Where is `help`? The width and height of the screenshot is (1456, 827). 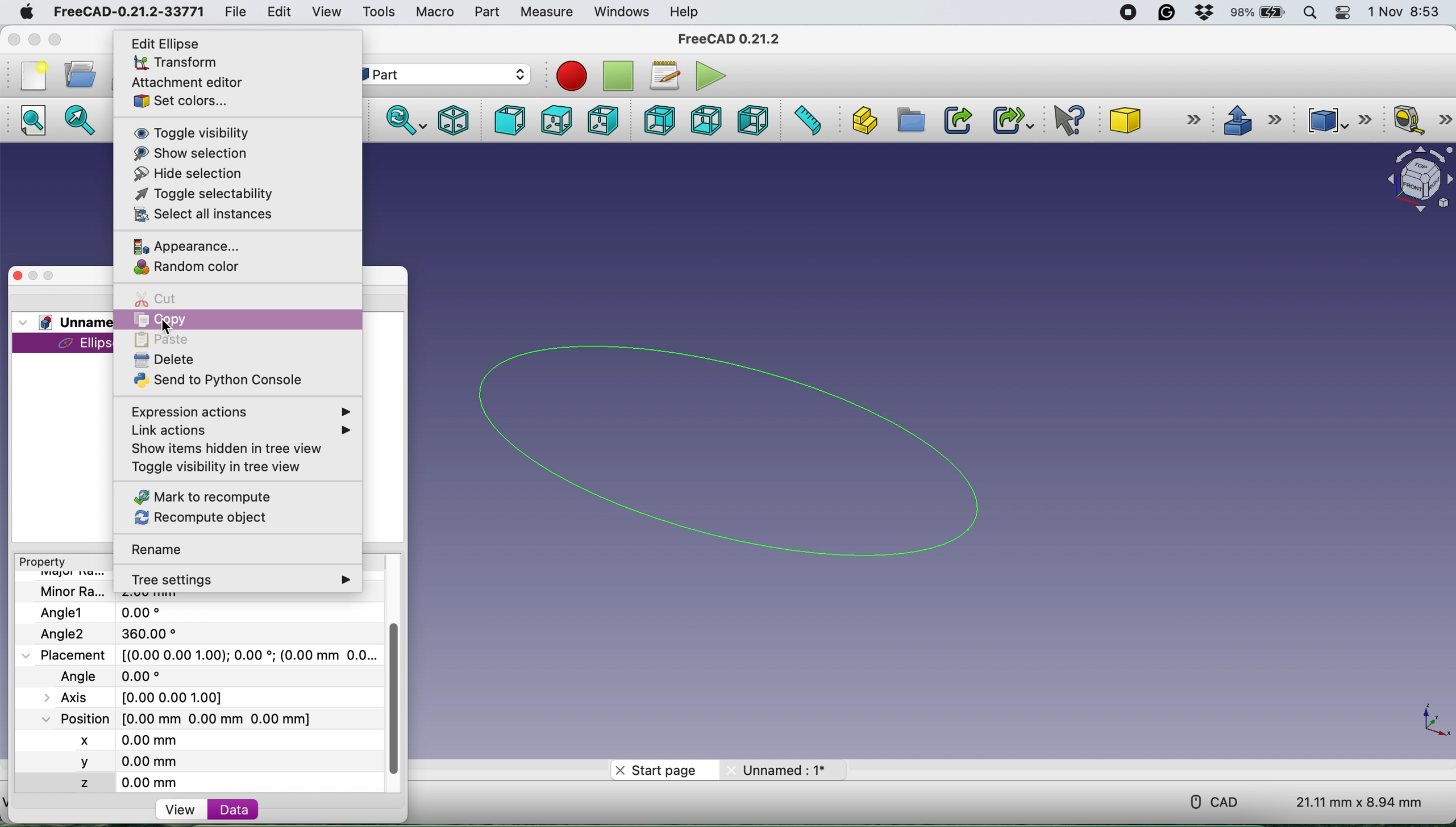 help is located at coordinates (688, 11).